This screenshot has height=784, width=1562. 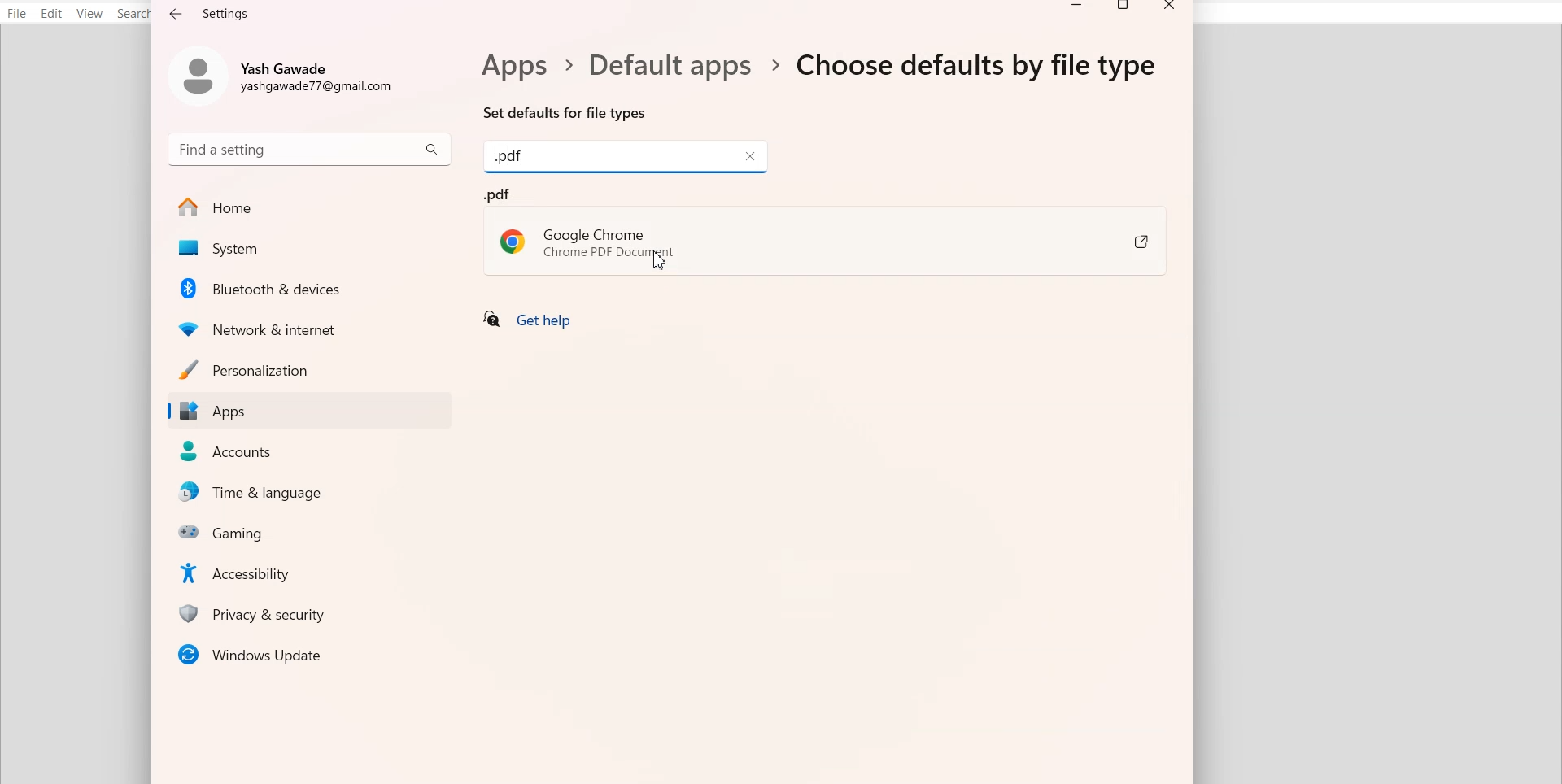 What do you see at coordinates (825, 233) in the screenshot?
I see `.pdf` at bounding box center [825, 233].